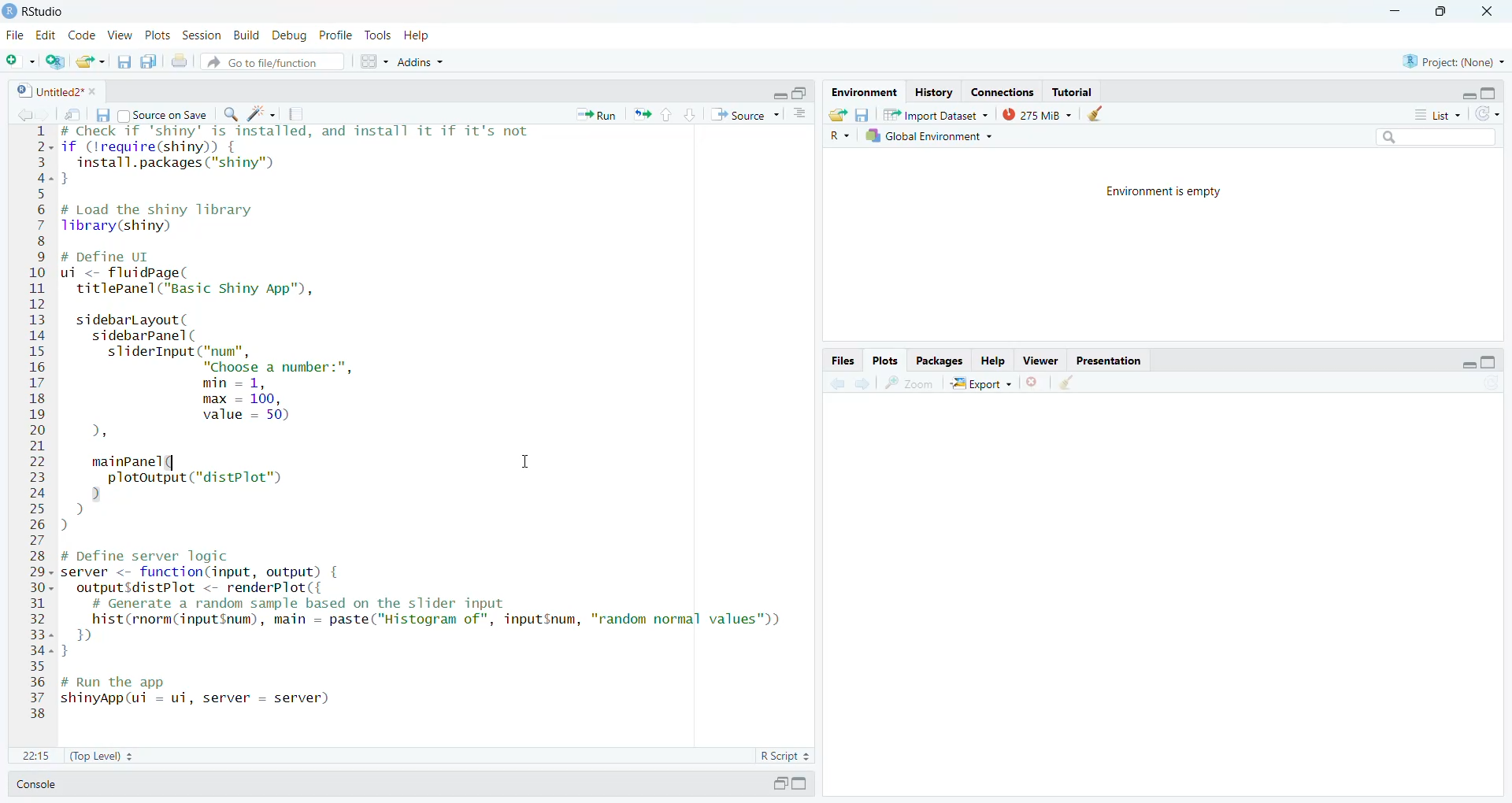  What do you see at coordinates (1395, 11) in the screenshot?
I see `minimize` at bounding box center [1395, 11].